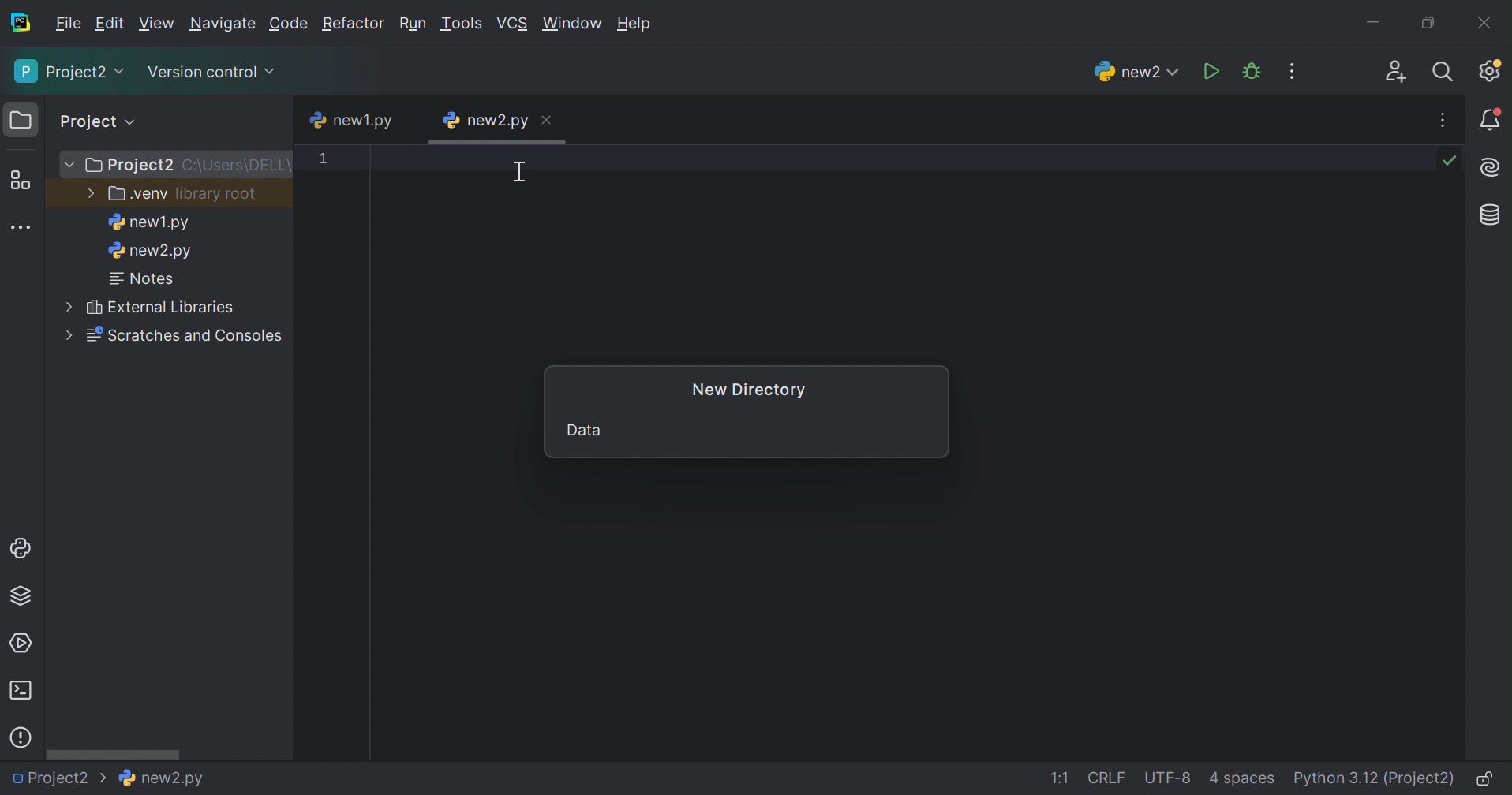 Image resolution: width=1512 pixels, height=795 pixels. What do you see at coordinates (159, 778) in the screenshot?
I see `` at bounding box center [159, 778].